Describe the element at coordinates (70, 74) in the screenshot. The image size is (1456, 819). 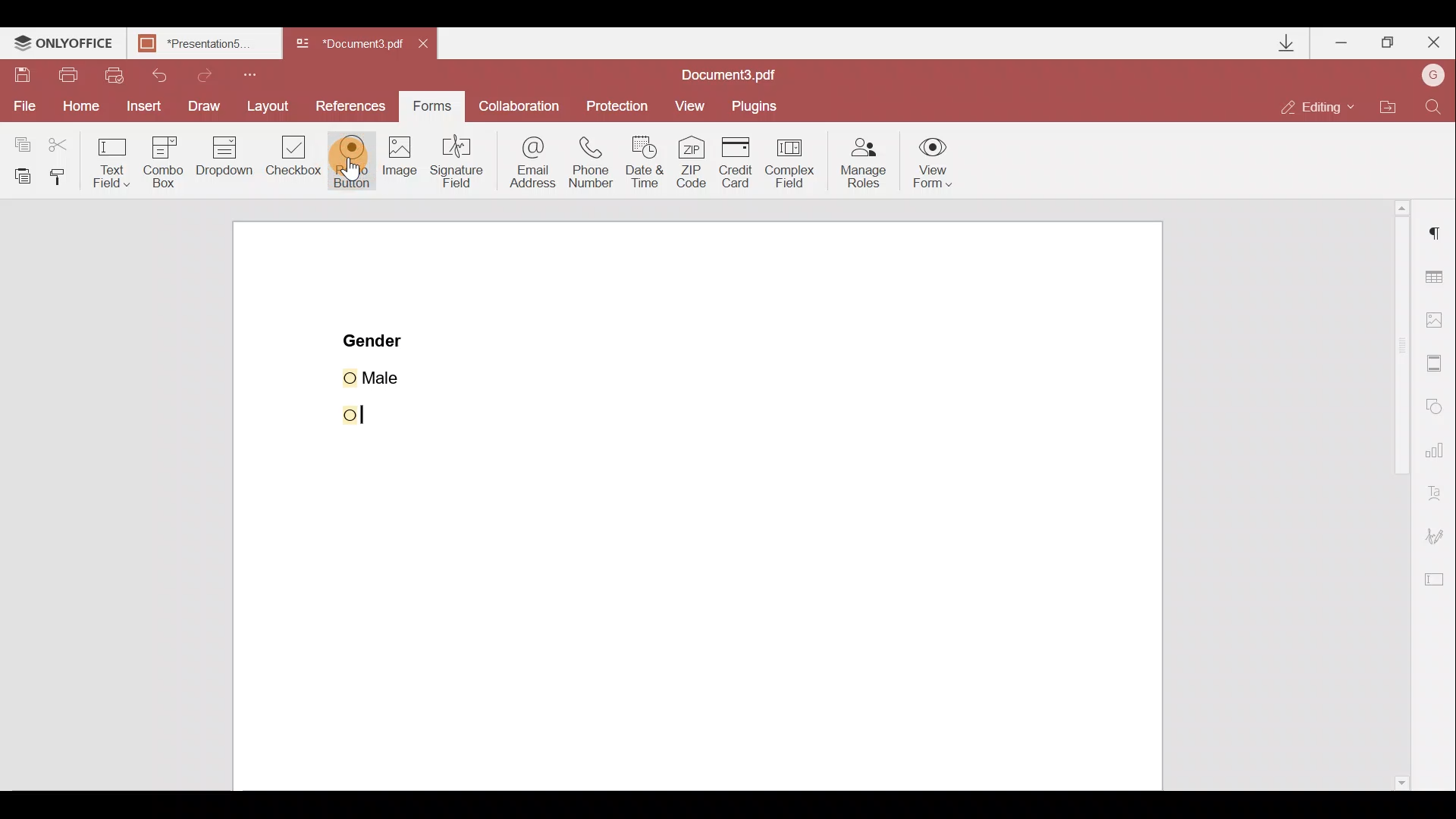
I see `Print file` at that location.